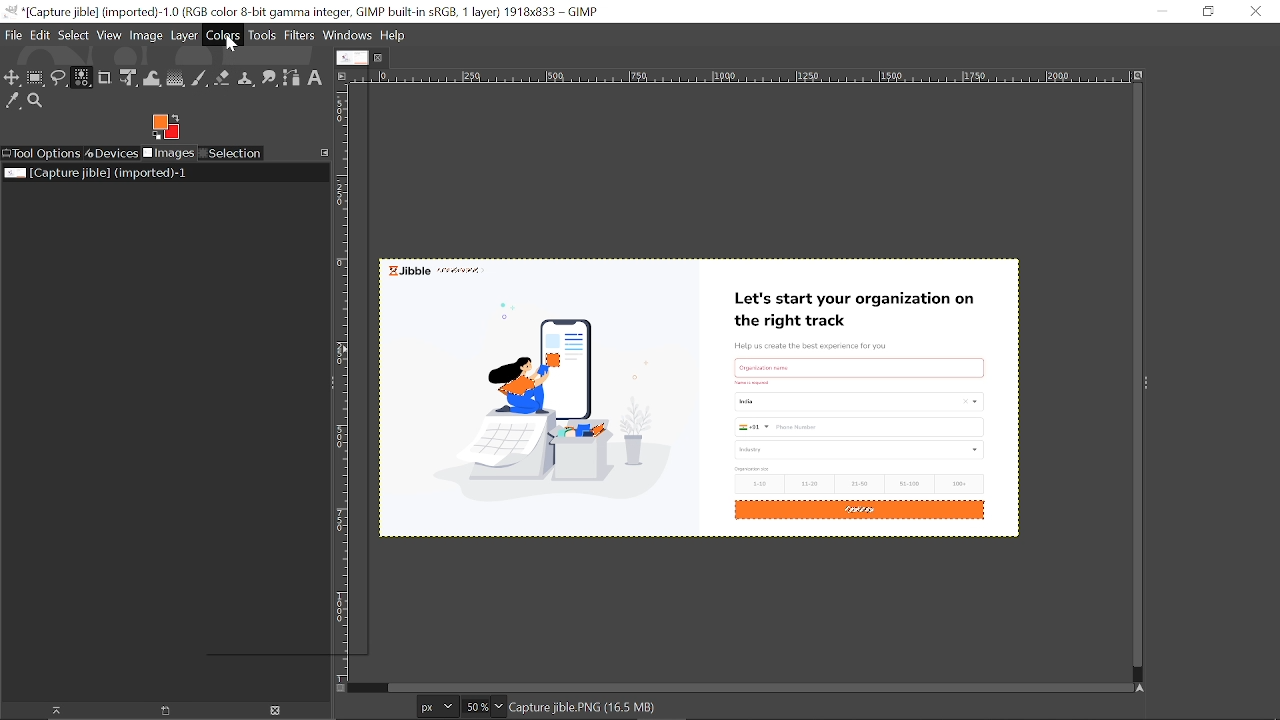 The image size is (1280, 720). I want to click on Free select tool, so click(59, 80).